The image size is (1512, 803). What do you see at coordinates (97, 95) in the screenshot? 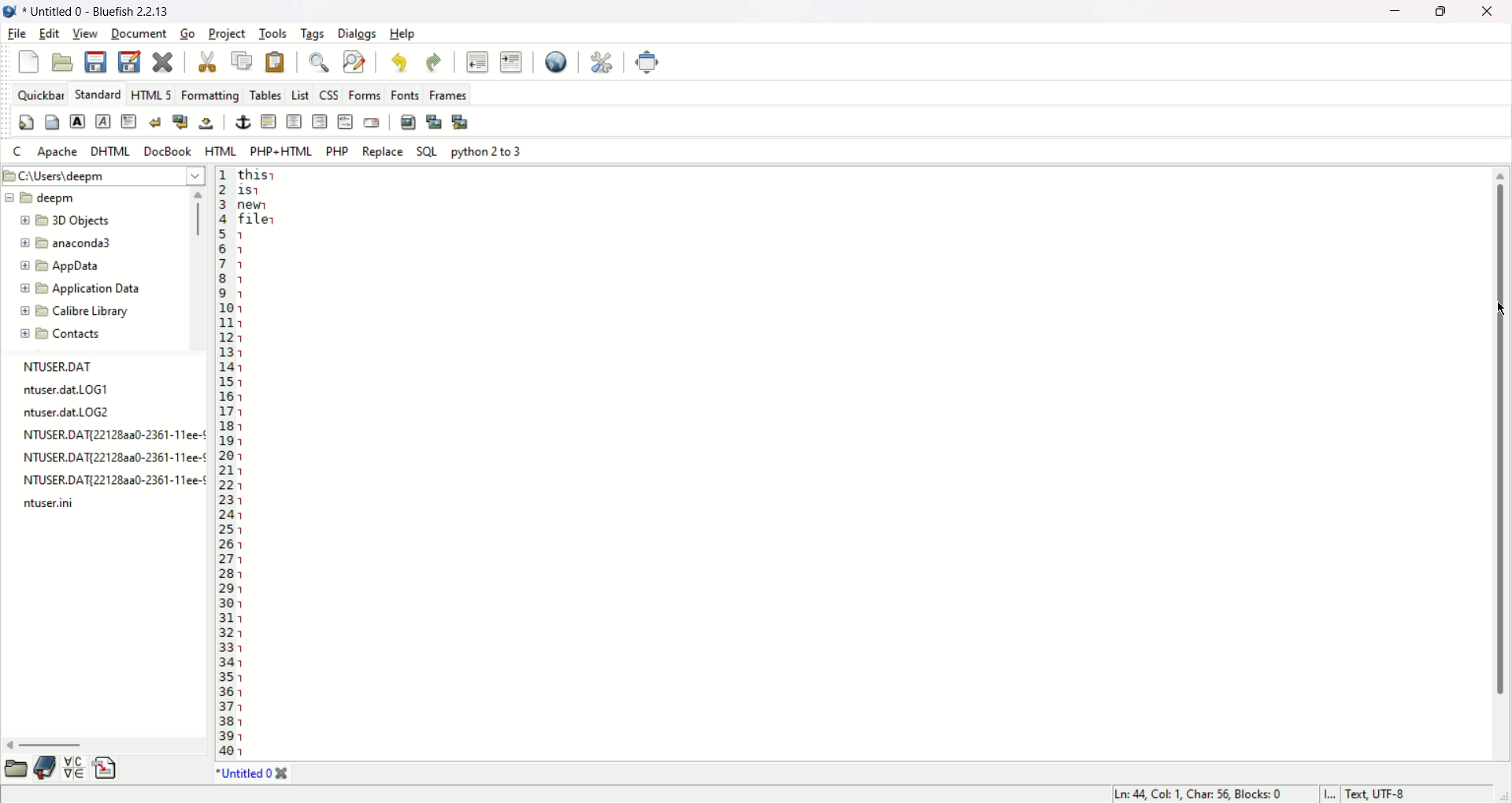
I see `standard` at bounding box center [97, 95].